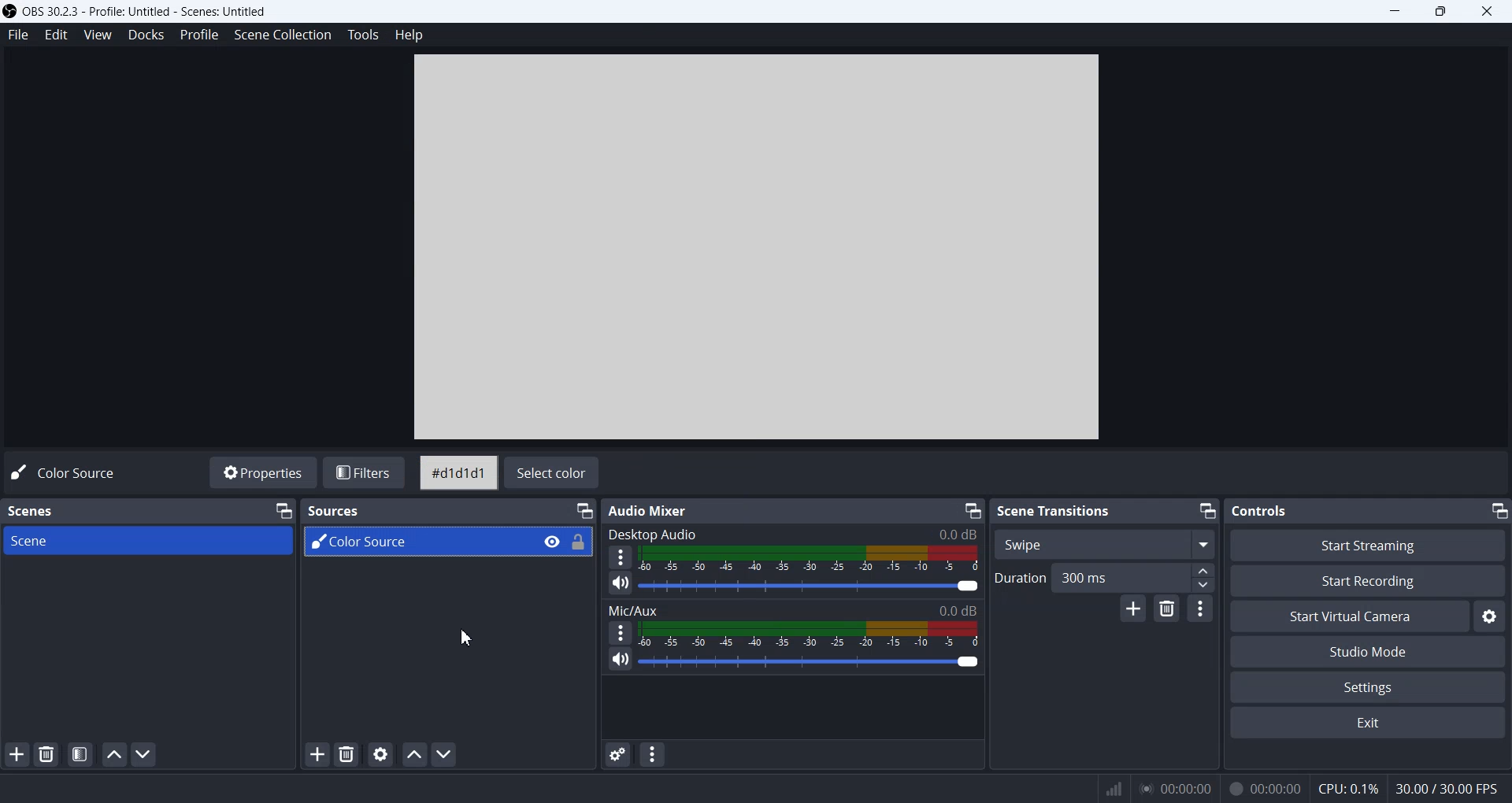  Describe the element at coordinates (792, 608) in the screenshot. I see `Mic/Aux 0.0dB` at that location.